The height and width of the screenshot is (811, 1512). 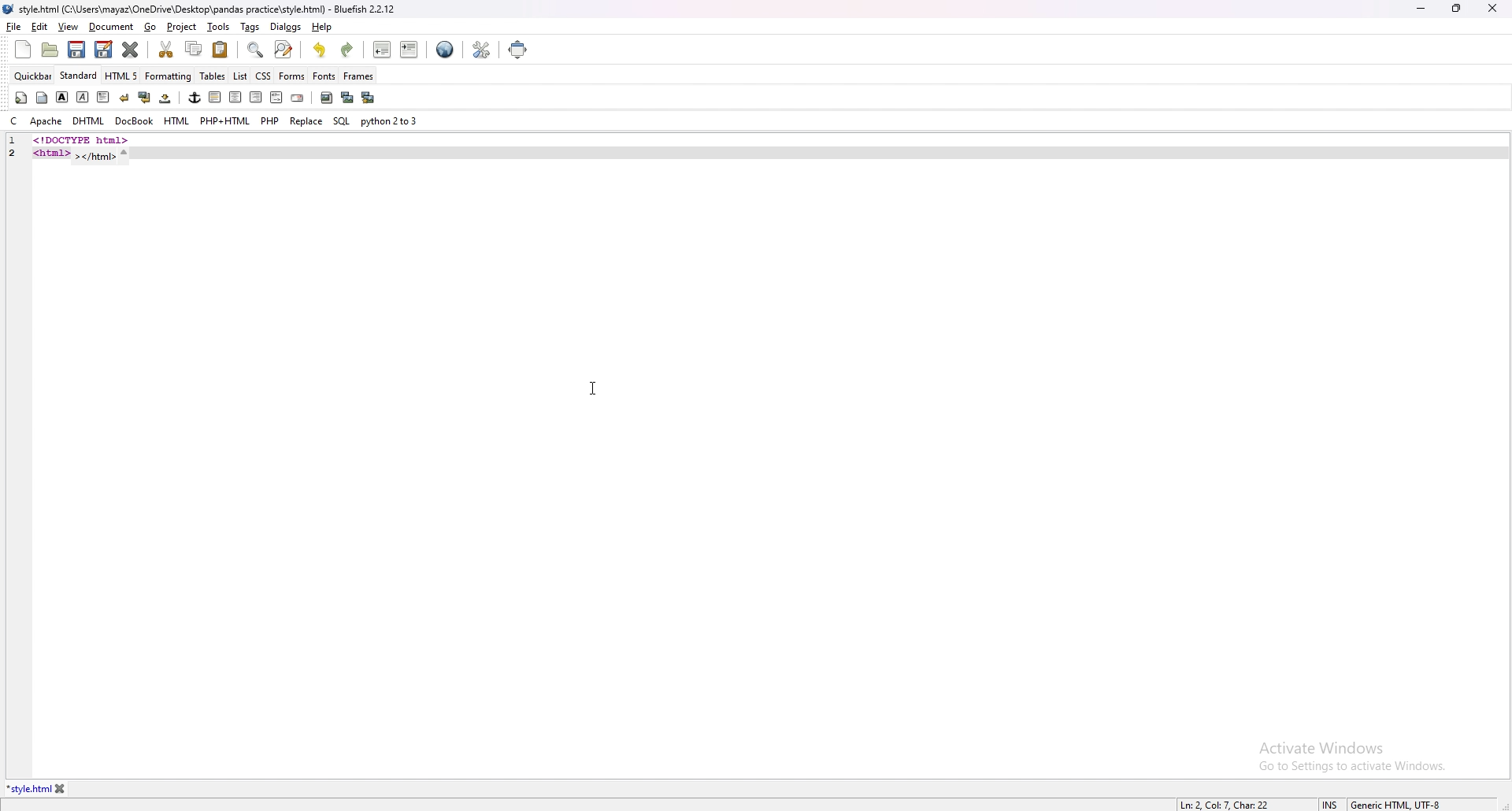 What do you see at coordinates (270, 120) in the screenshot?
I see `php` at bounding box center [270, 120].